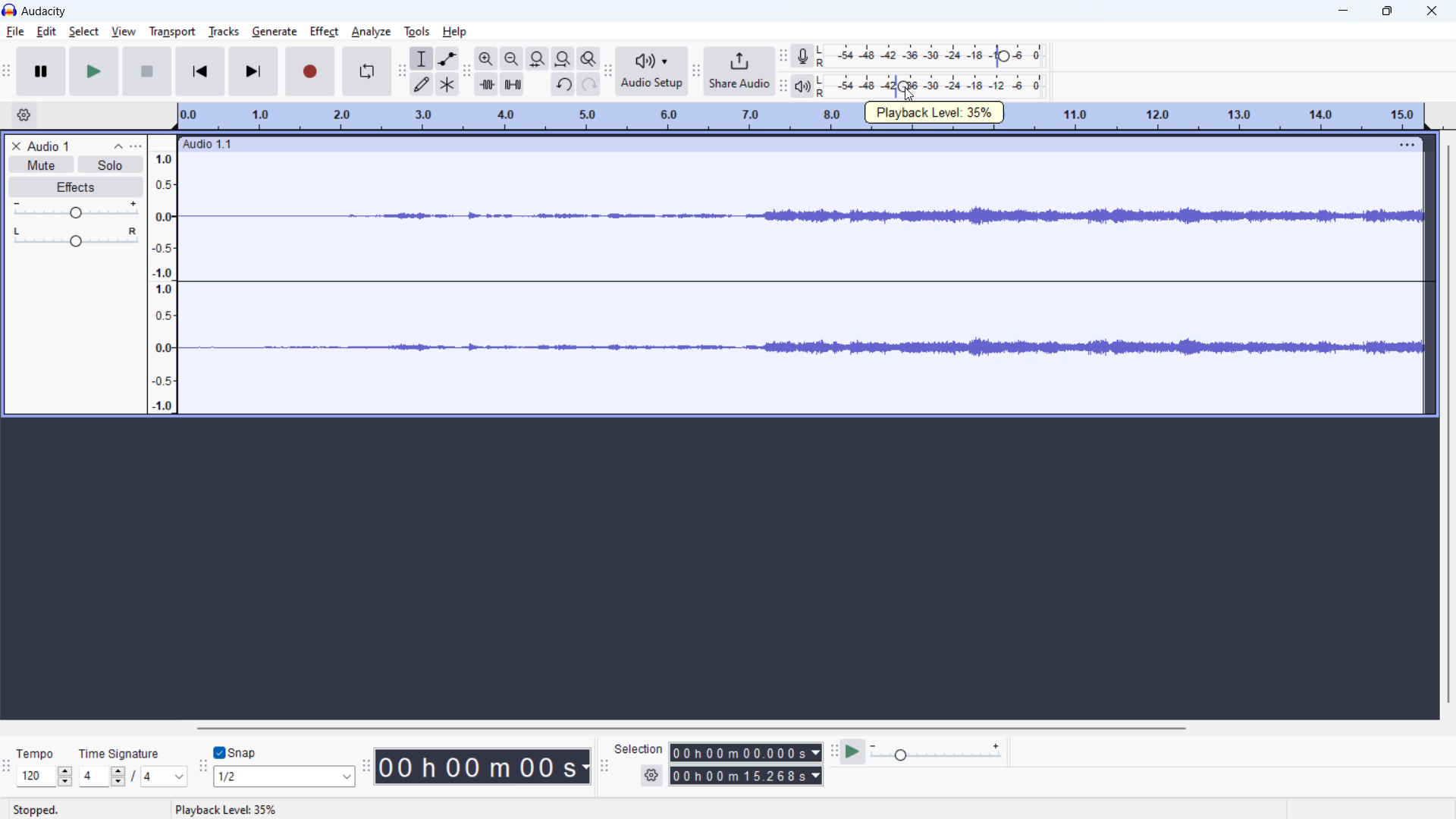 The width and height of the screenshot is (1456, 819). What do you see at coordinates (803, 85) in the screenshot?
I see `playback meter` at bounding box center [803, 85].